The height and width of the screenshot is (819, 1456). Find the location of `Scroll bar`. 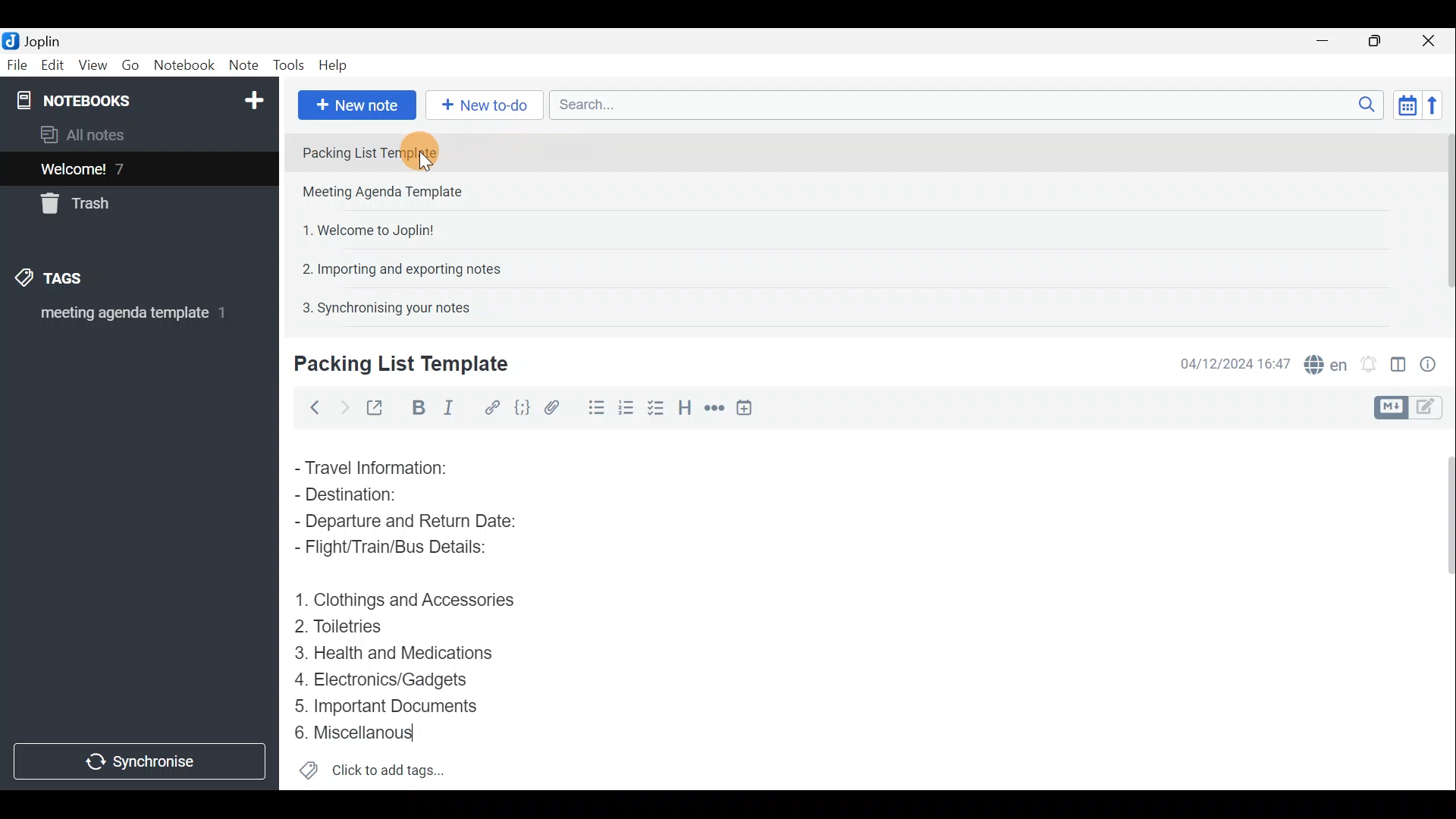

Scroll bar is located at coordinates (1442, 221).